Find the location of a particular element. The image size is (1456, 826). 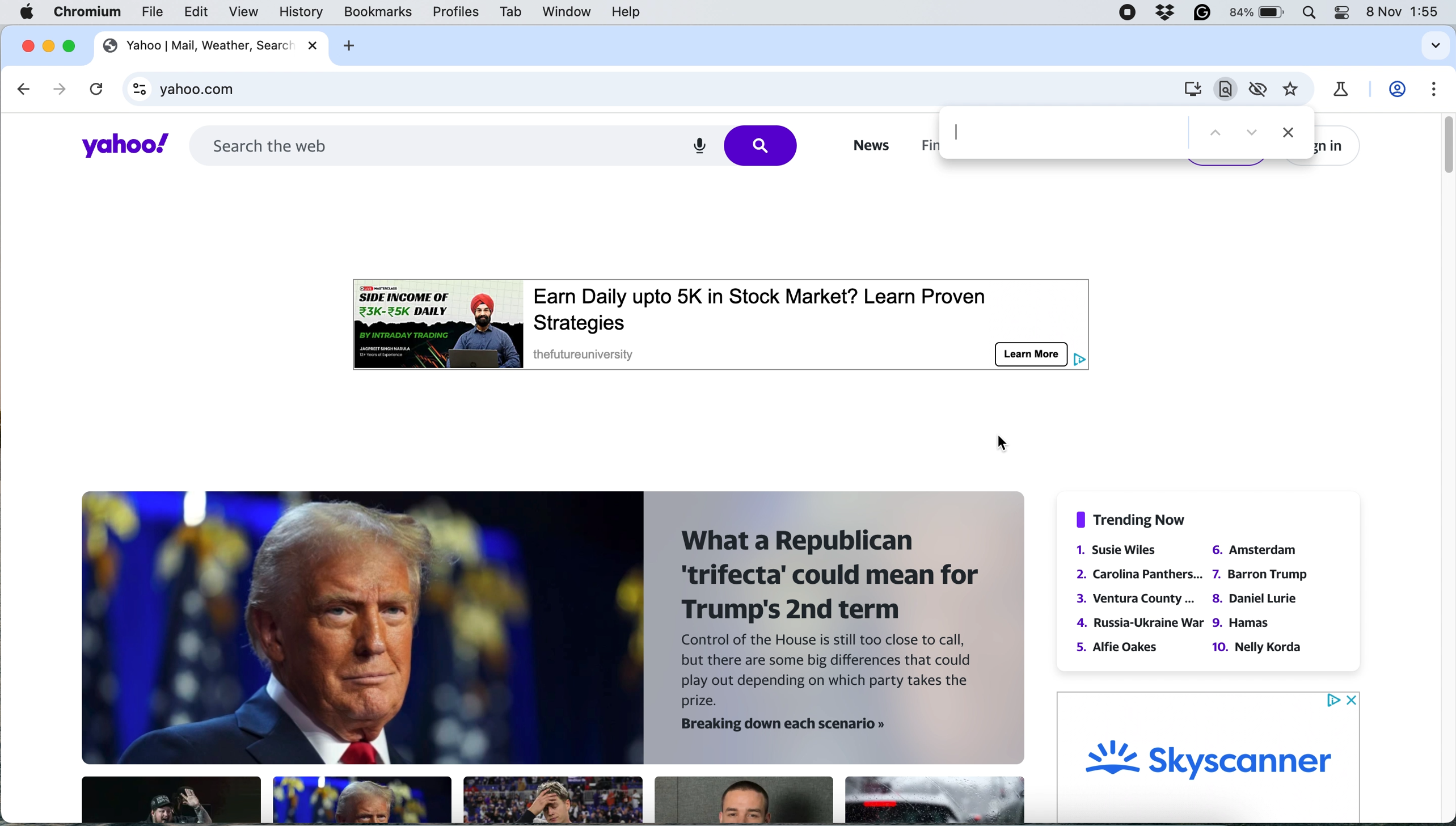

News Article  is located at coordinates (170, 800).